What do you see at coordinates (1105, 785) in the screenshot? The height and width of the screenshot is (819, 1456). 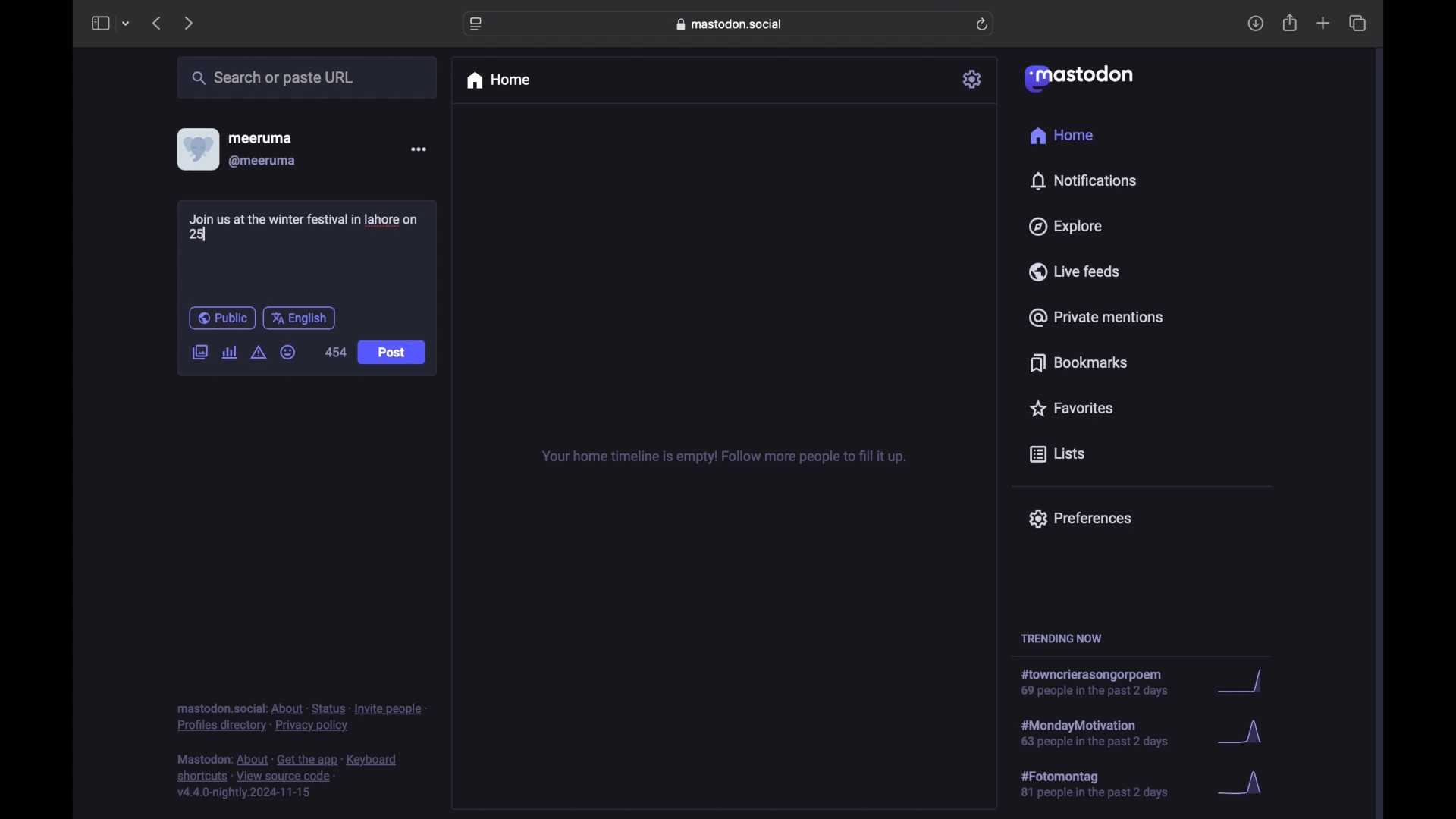 I see `hashtag trend` at bounding box center [1105, 785].